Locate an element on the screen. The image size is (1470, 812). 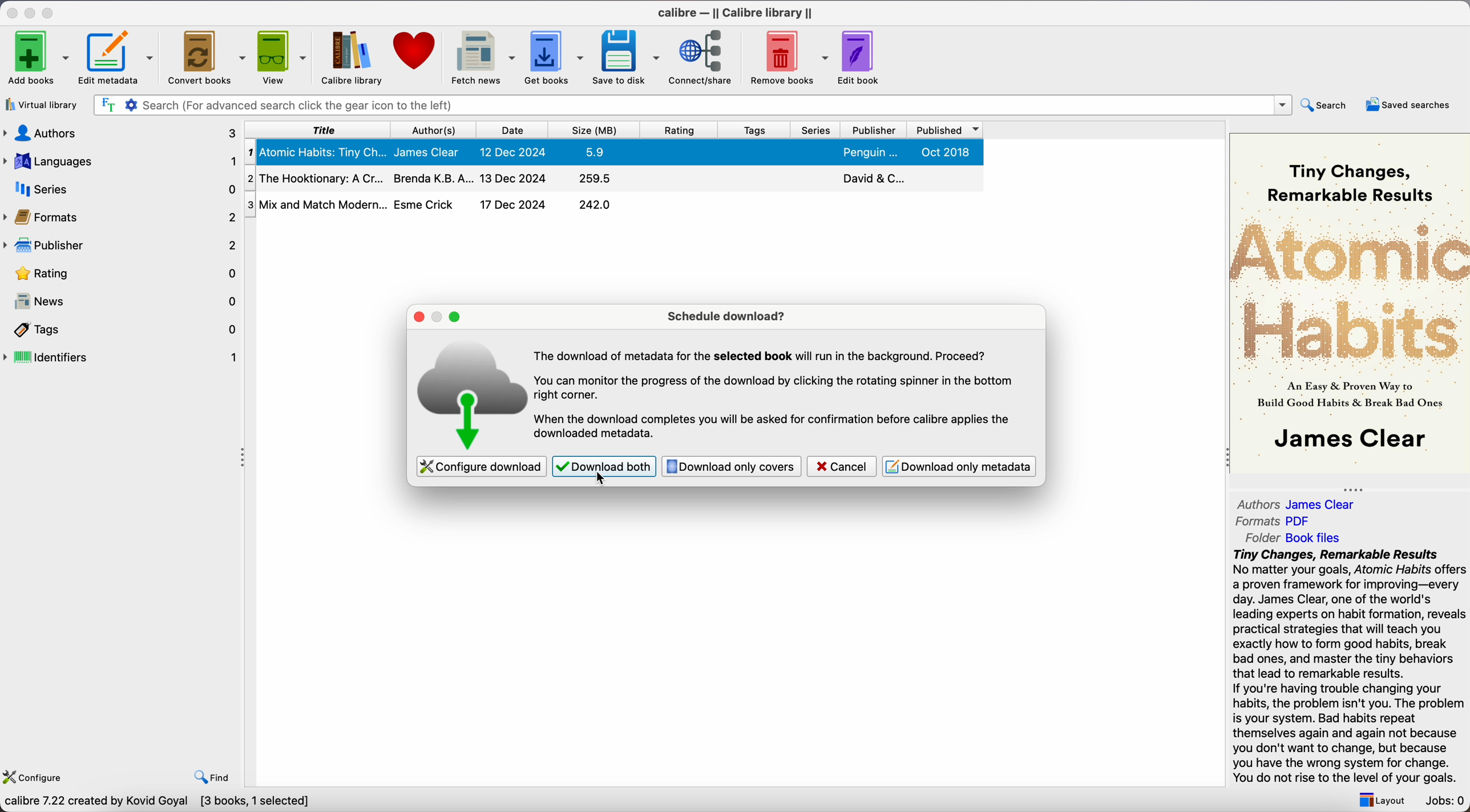
12 Dec 2024 is located at coordinates (512, 151).